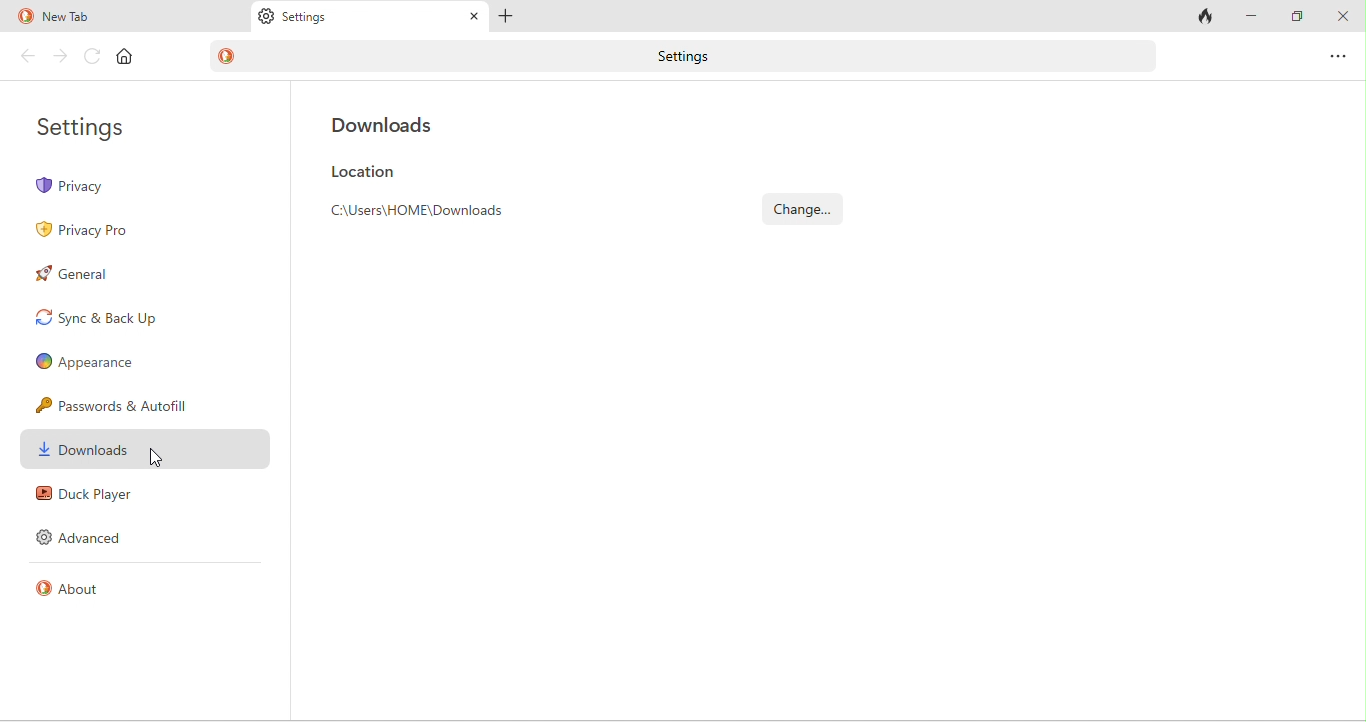 The image size is (1366, 722). I want to click on Settings tab, so click(366, 15).